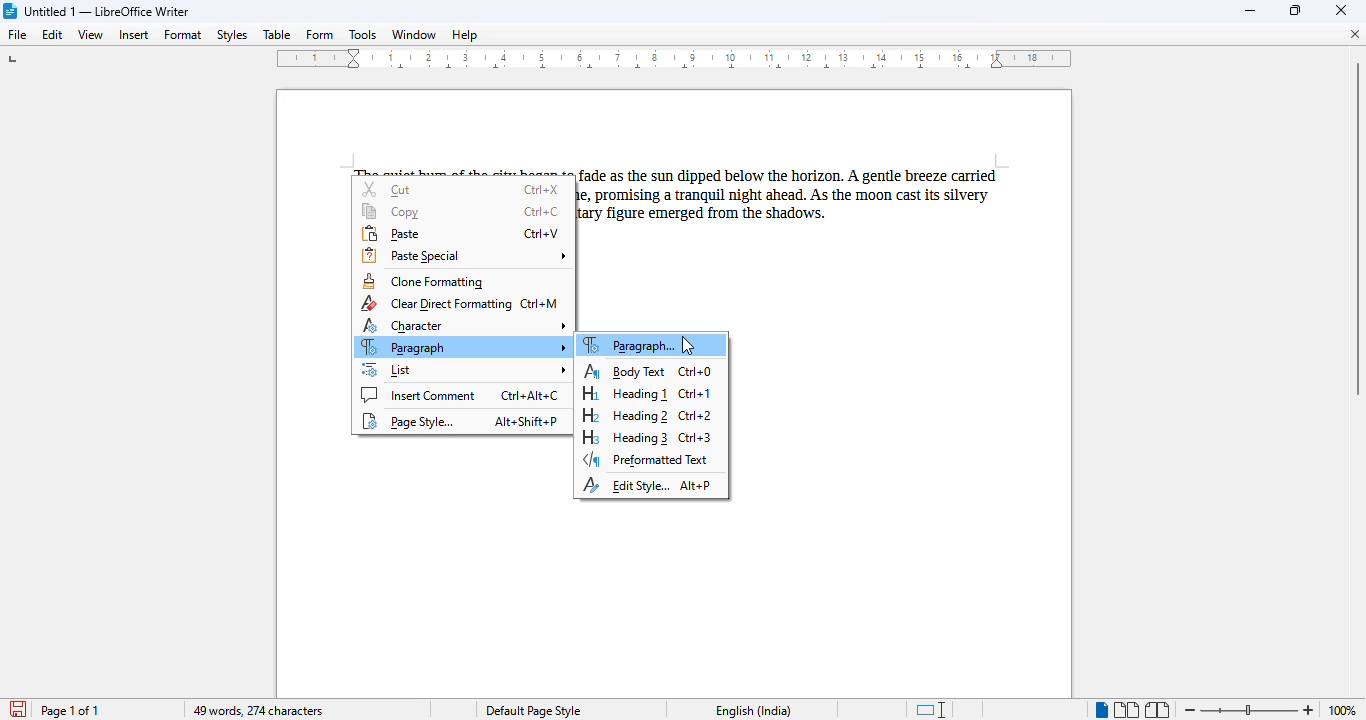 This screenshot has width=1366, height=720. Describe the element at coordinates (1355, 34) in the screenshot. I see `close document` at that location.